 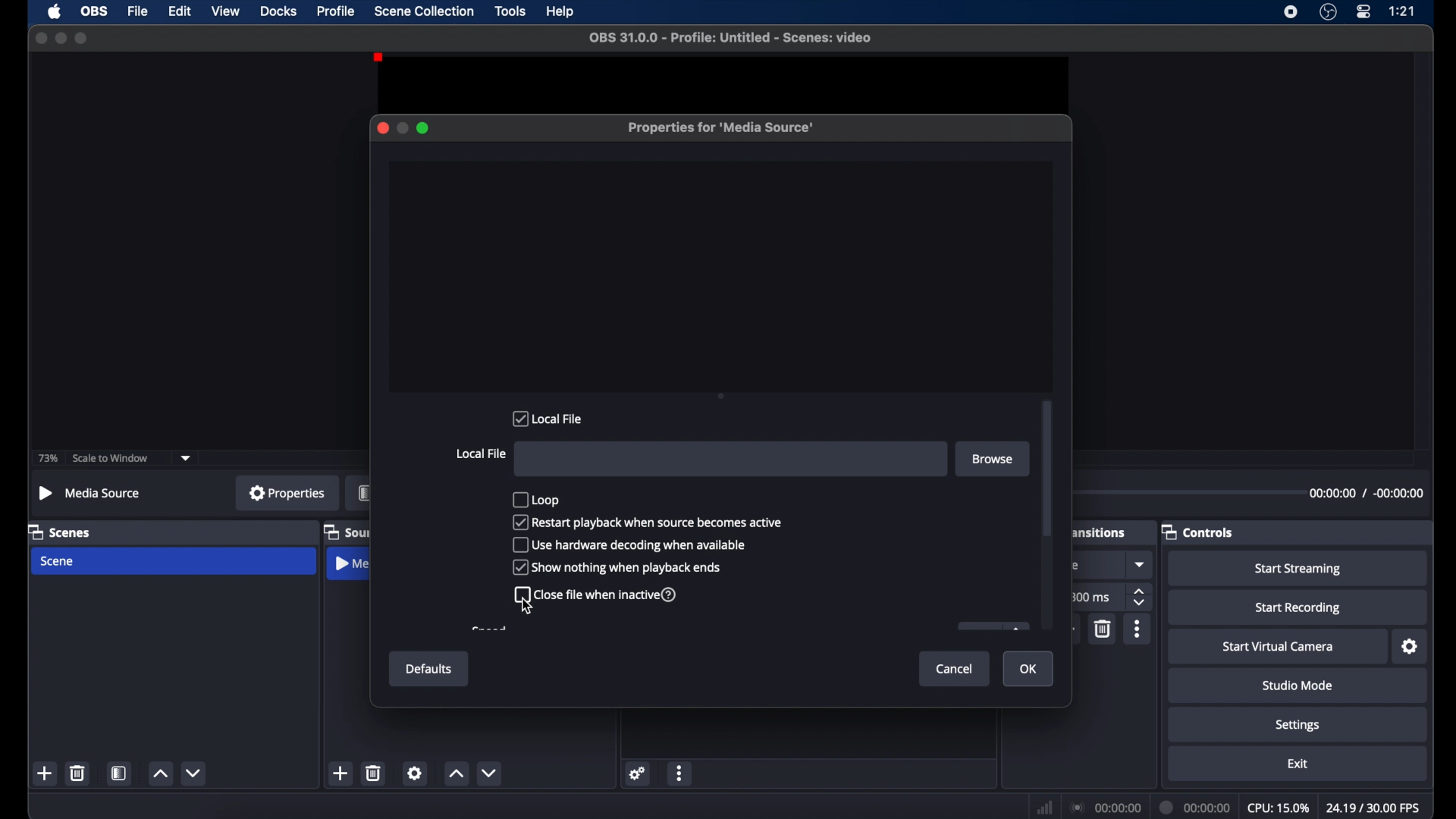 I want to click on close, so click(x=40, y=38).